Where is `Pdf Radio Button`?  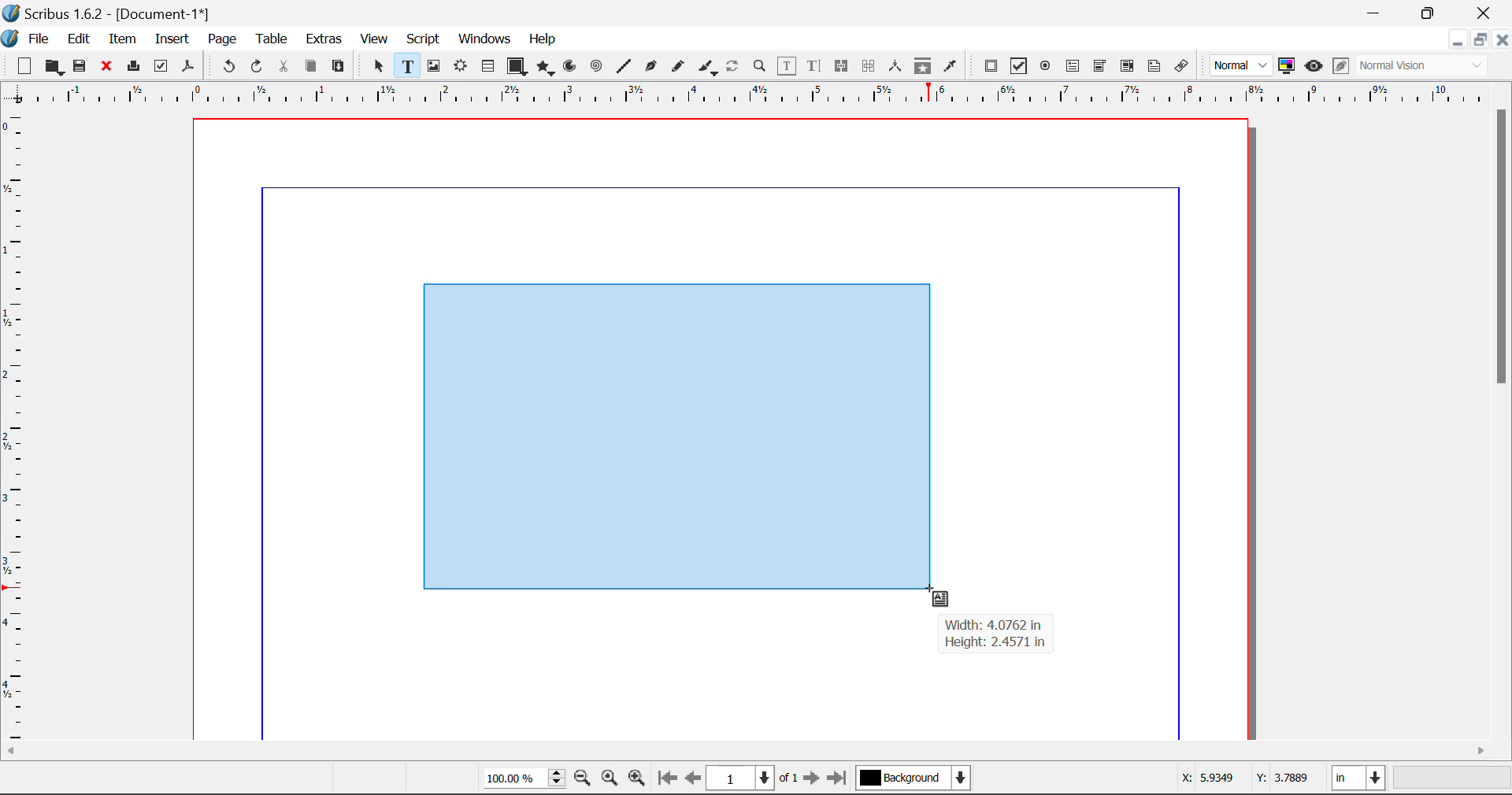
Pdf Radio Button is located at coordinates (1045, 67).